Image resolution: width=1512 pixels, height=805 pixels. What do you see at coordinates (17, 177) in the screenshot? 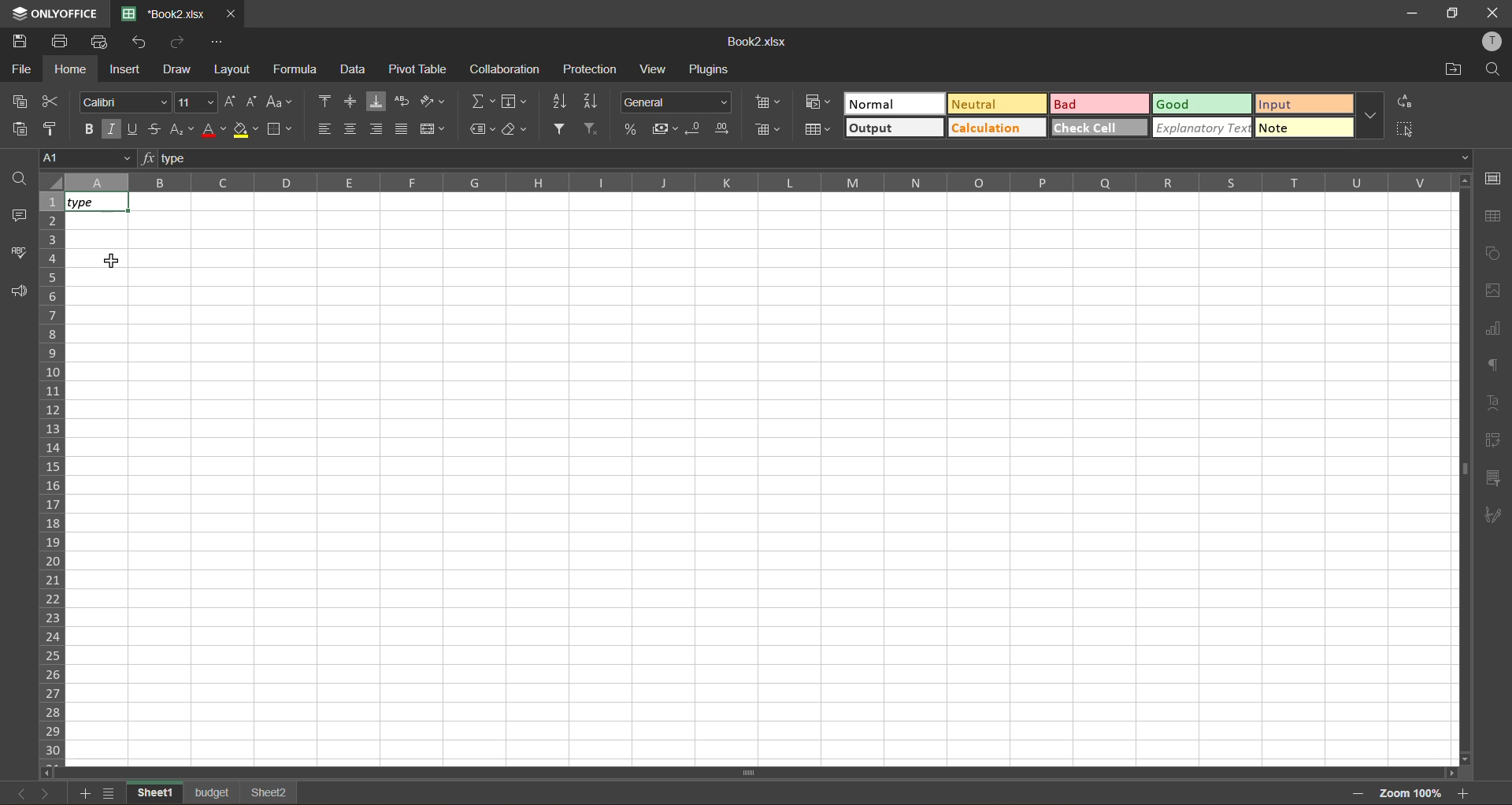
I see `find` at bounding box center [17, 177].